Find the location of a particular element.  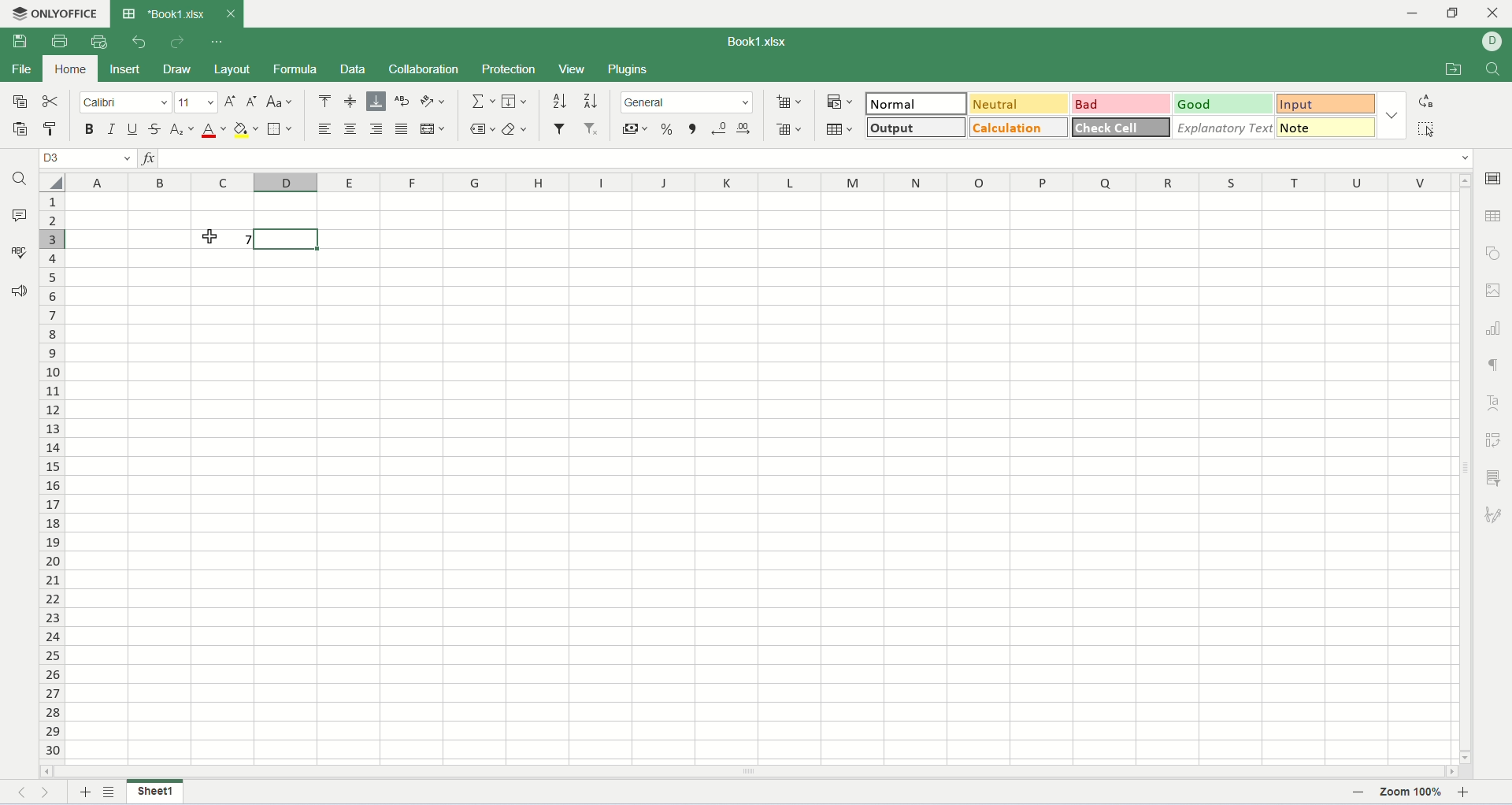

input is located at coordinates (1326, 103).